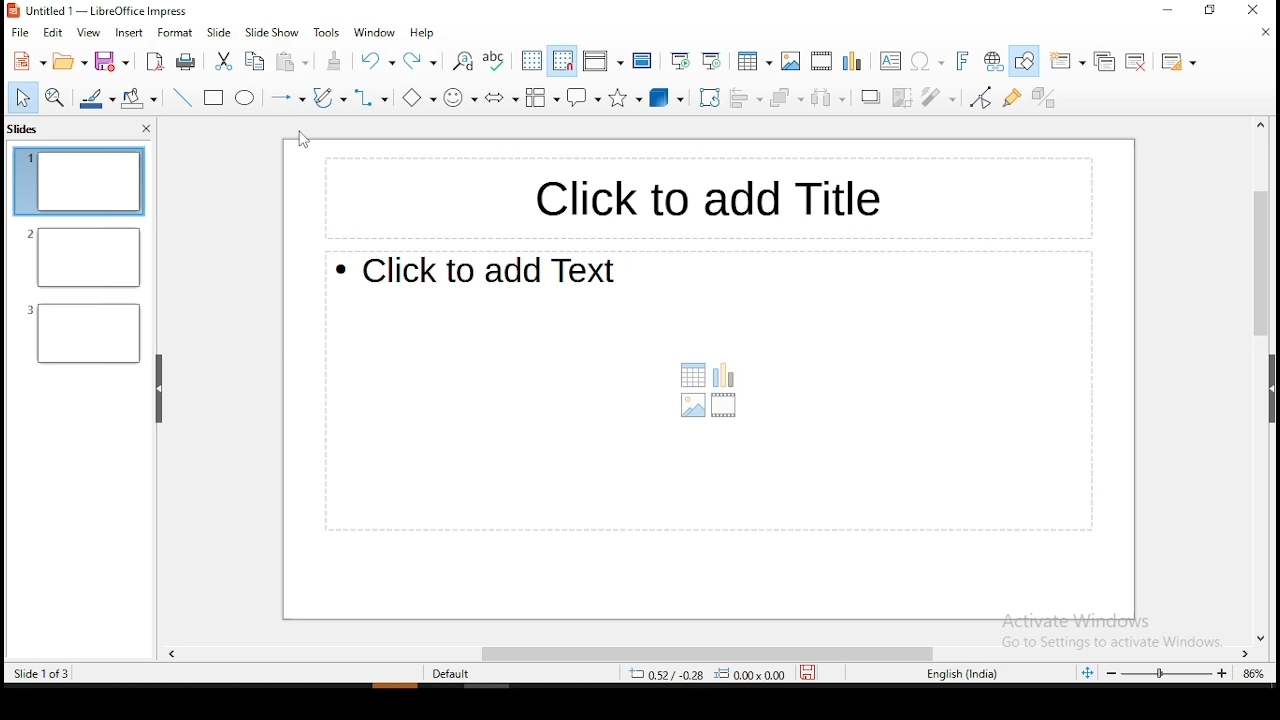 This screenshot has width=1280, height=720. Describe the element at coordinates (1108, 61) in the screenshot. I see `duplicate` at that location.